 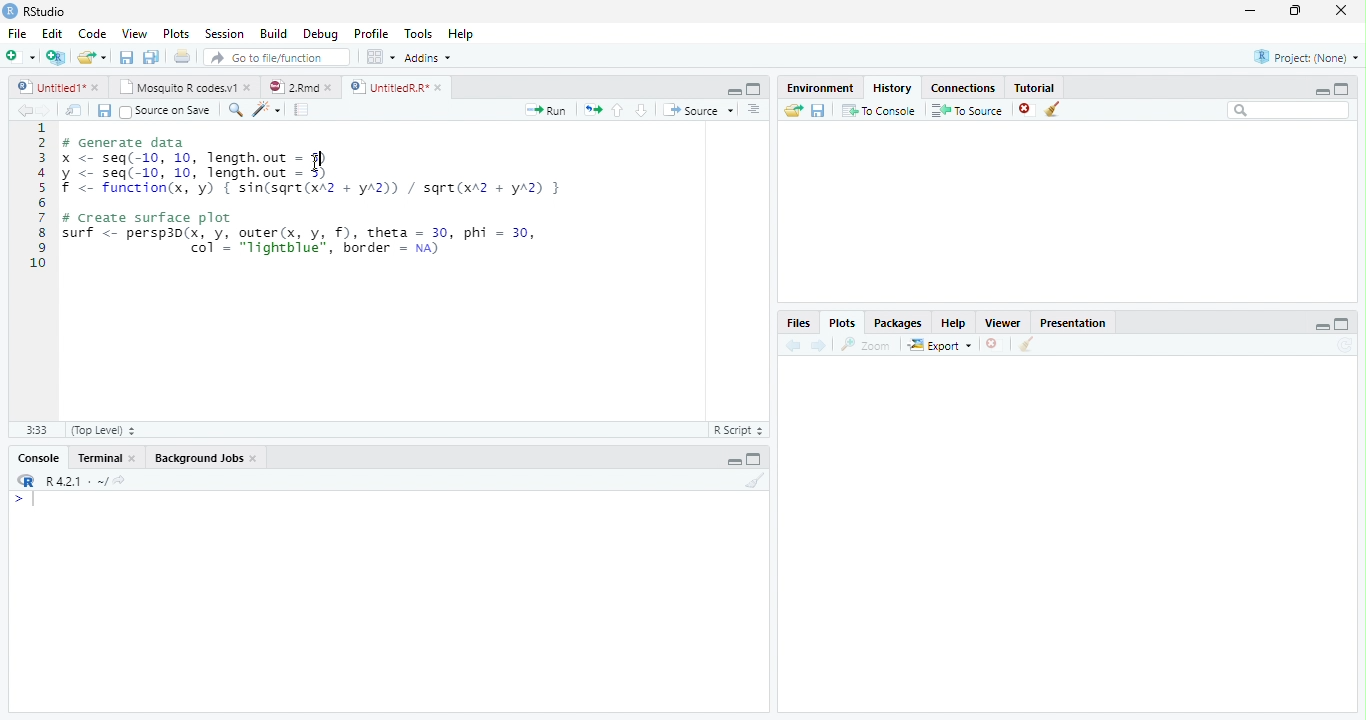 I want to click on Show in new window, so click(x=73, y=110).